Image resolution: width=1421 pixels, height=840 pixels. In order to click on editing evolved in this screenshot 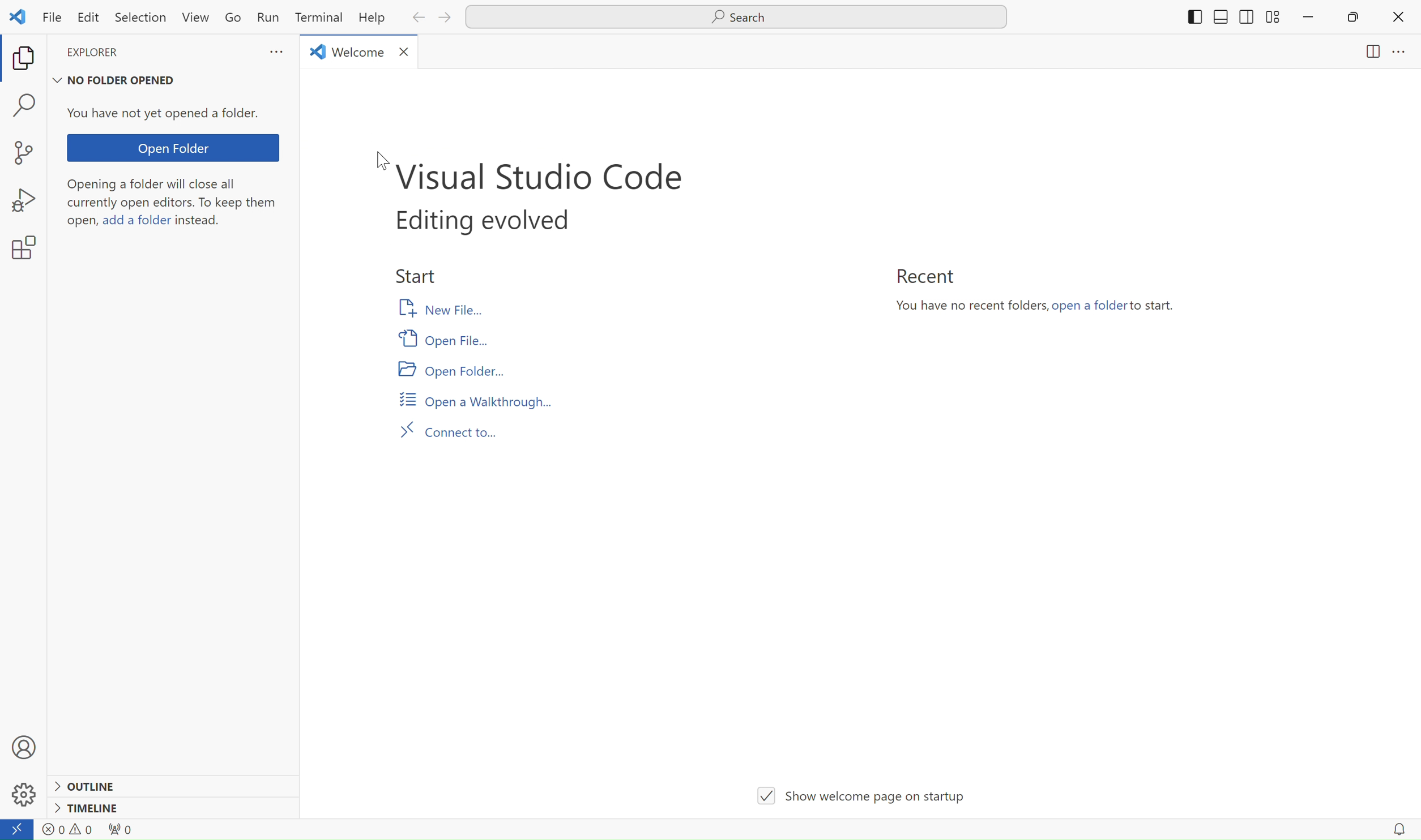, I will do `click(485, 220)`.